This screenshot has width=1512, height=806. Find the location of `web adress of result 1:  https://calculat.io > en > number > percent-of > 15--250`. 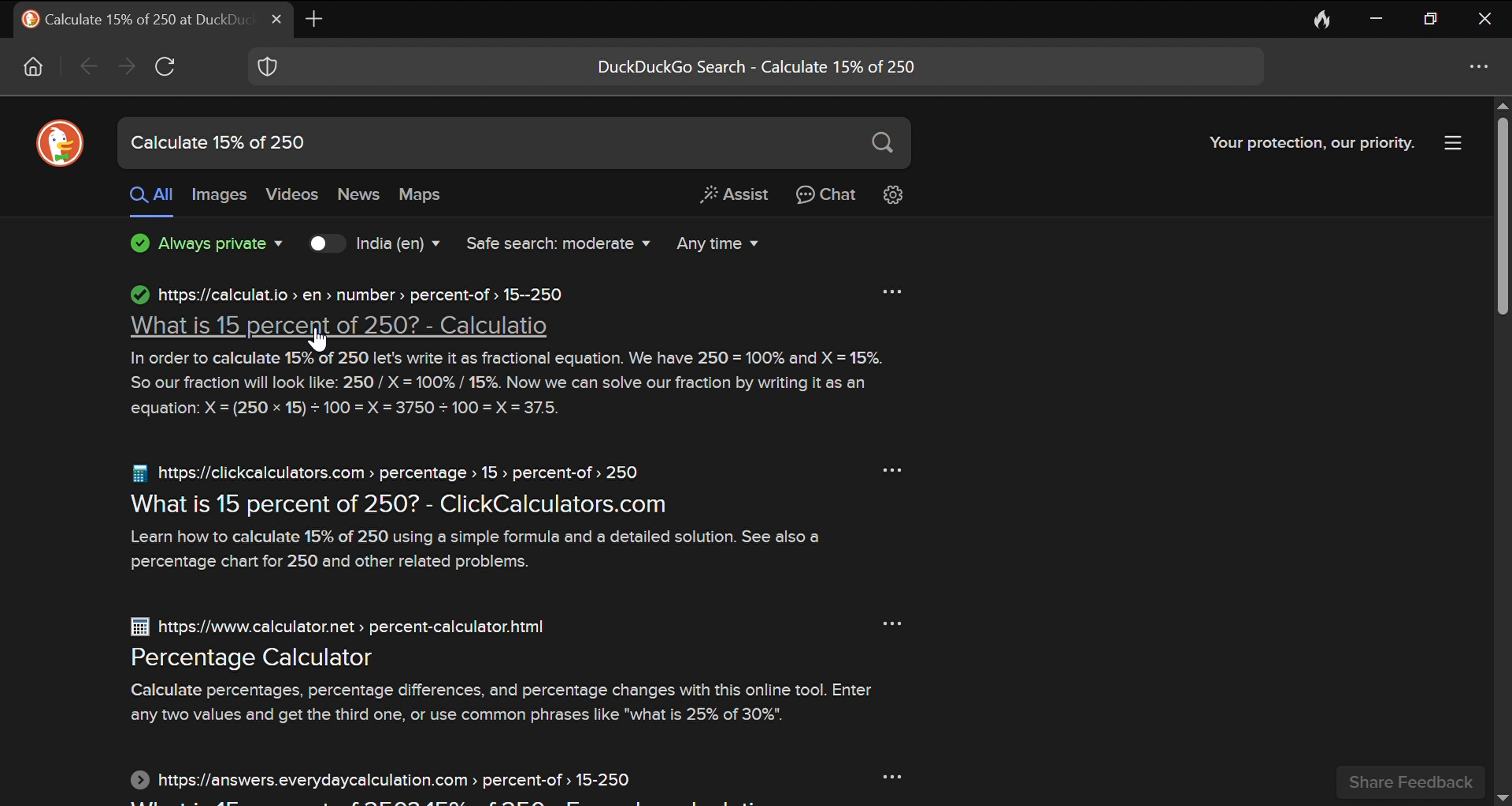

web adress of result 1:  https://calculat.io > en > number > percent-of > 15--250 is located at coordinates (344, 294).